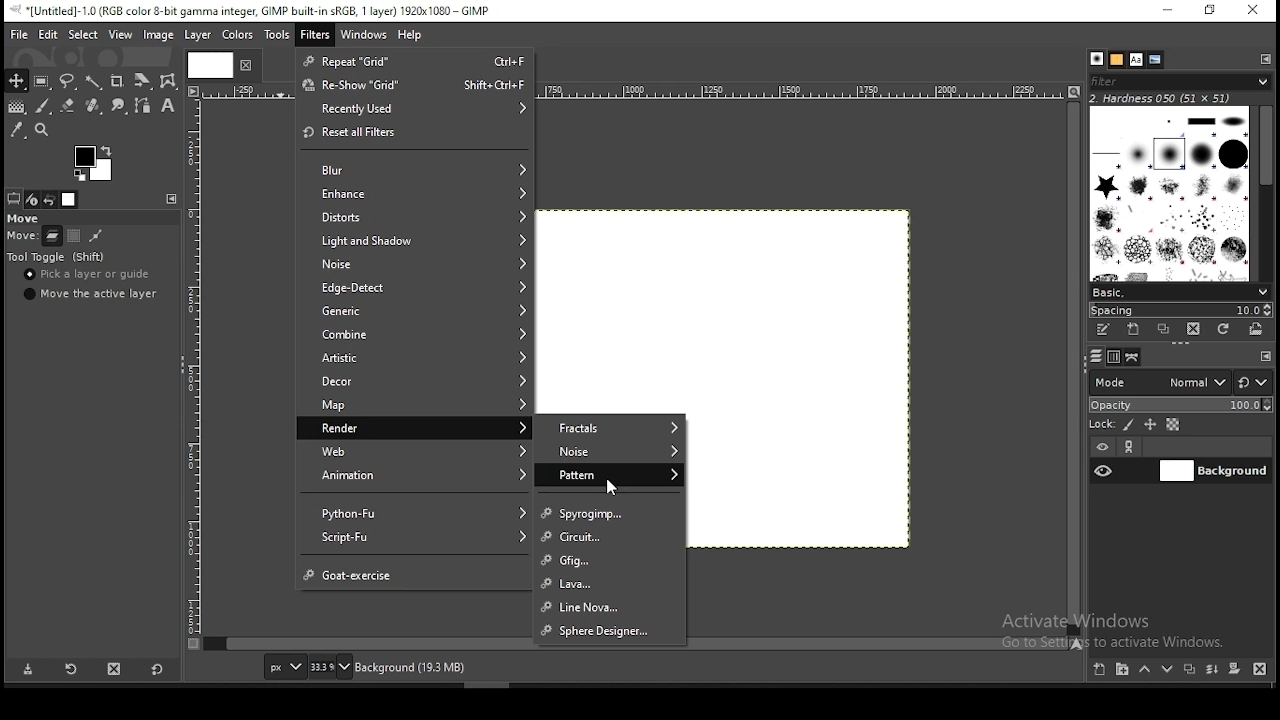  Describe the element at coordinates (414, 406) in the screenshot. I see `map` at that location.